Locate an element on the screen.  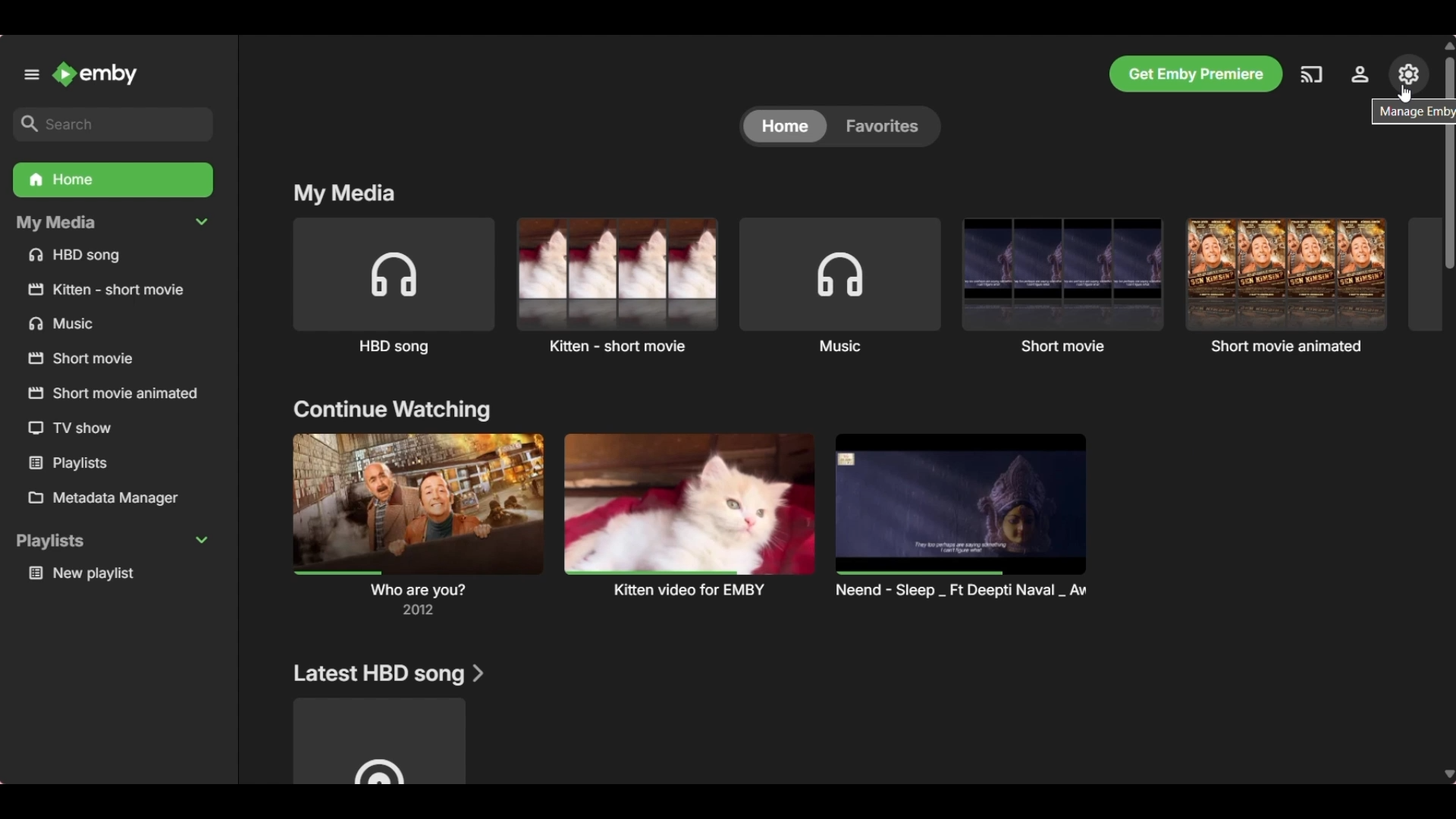
Quick slide to top is located at coordinates (1449, 45).